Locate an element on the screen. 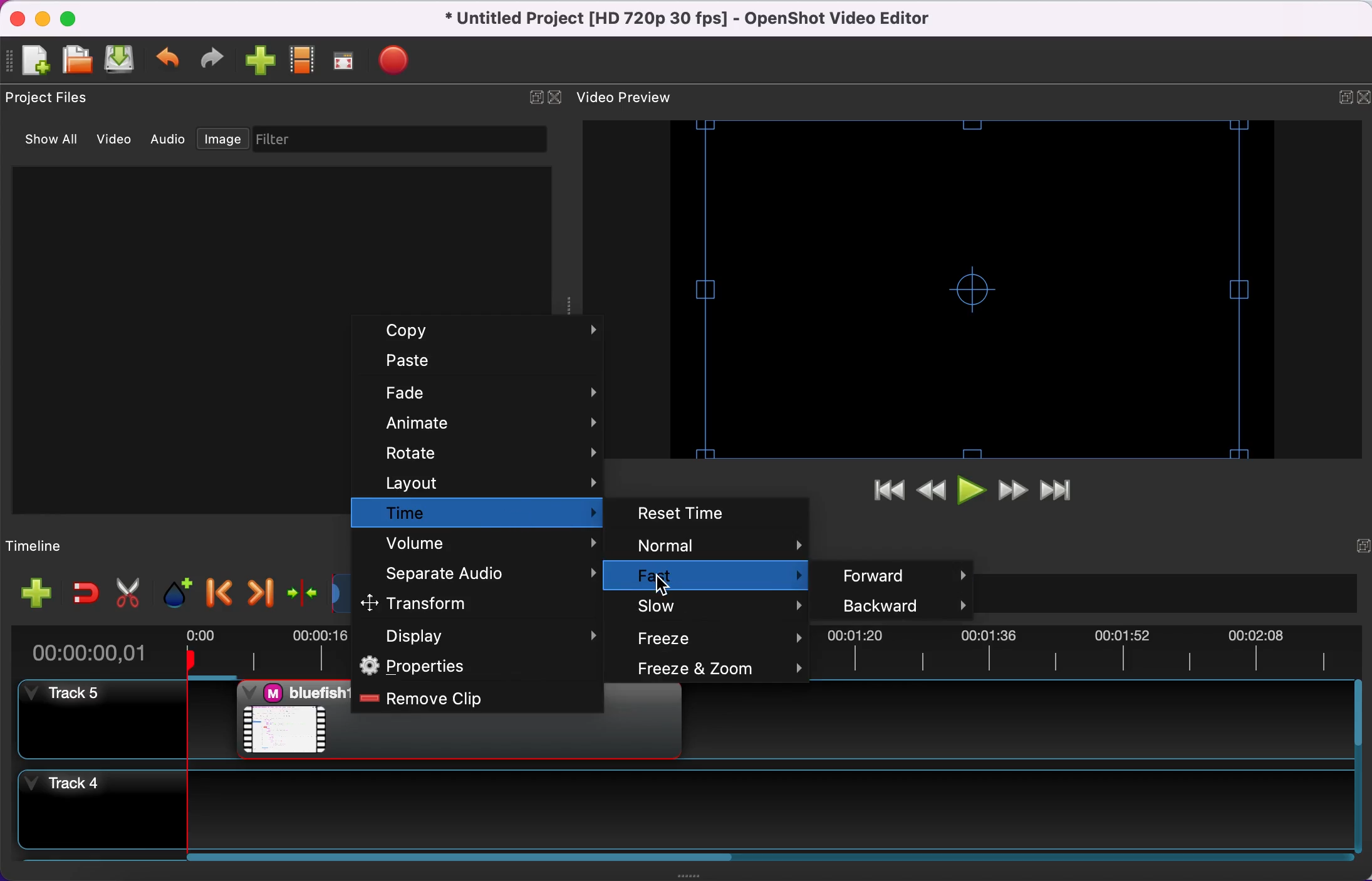 The height and width of the screenshot is (881, 1372). reset time is located at coordinates (712, 512).